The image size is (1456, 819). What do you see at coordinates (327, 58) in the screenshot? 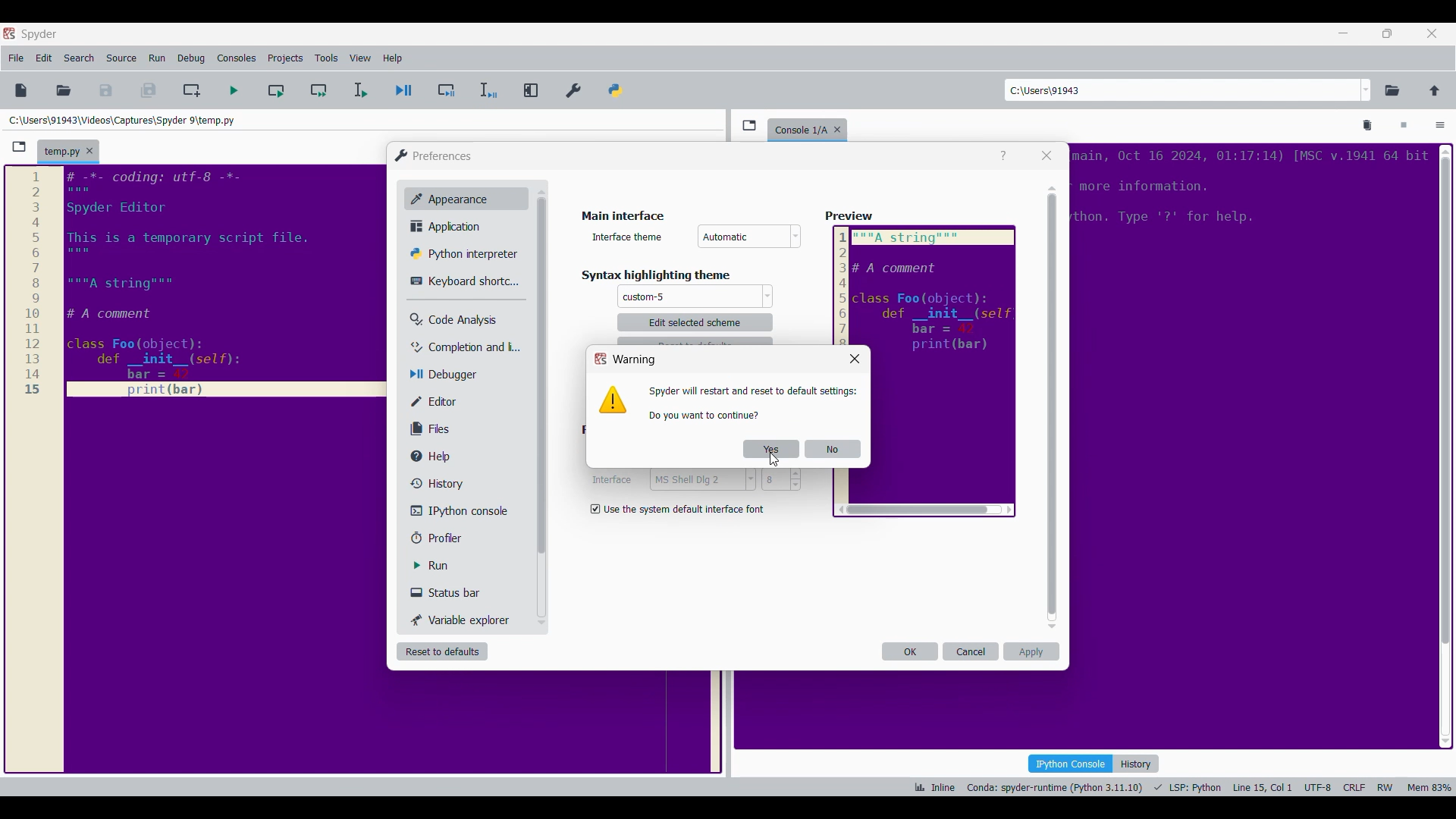
I see `Tools menu` at bounding box center [327, 58].